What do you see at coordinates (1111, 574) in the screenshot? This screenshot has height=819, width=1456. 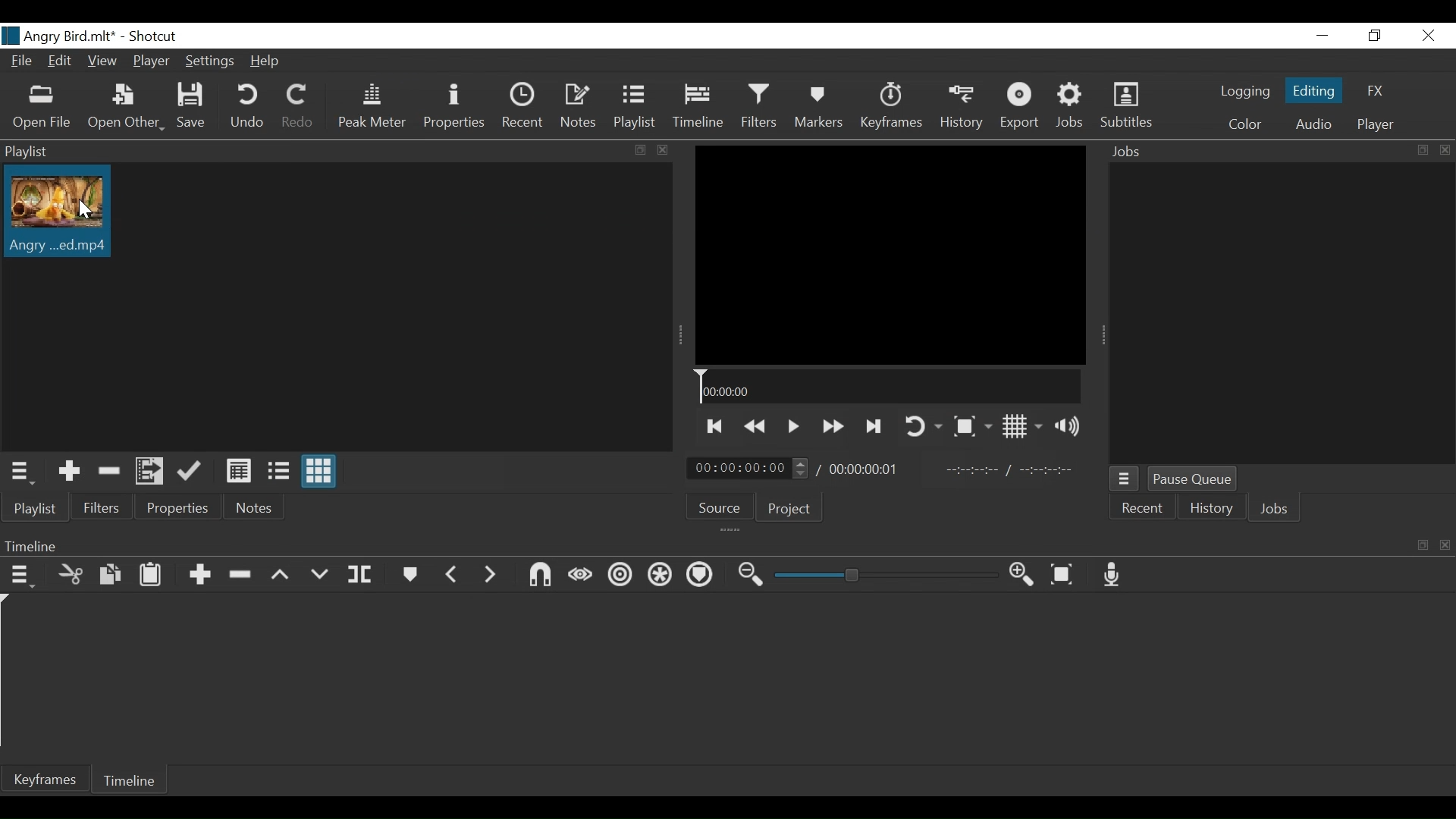 I see `Record audio` at bounding box center [1111, 574].